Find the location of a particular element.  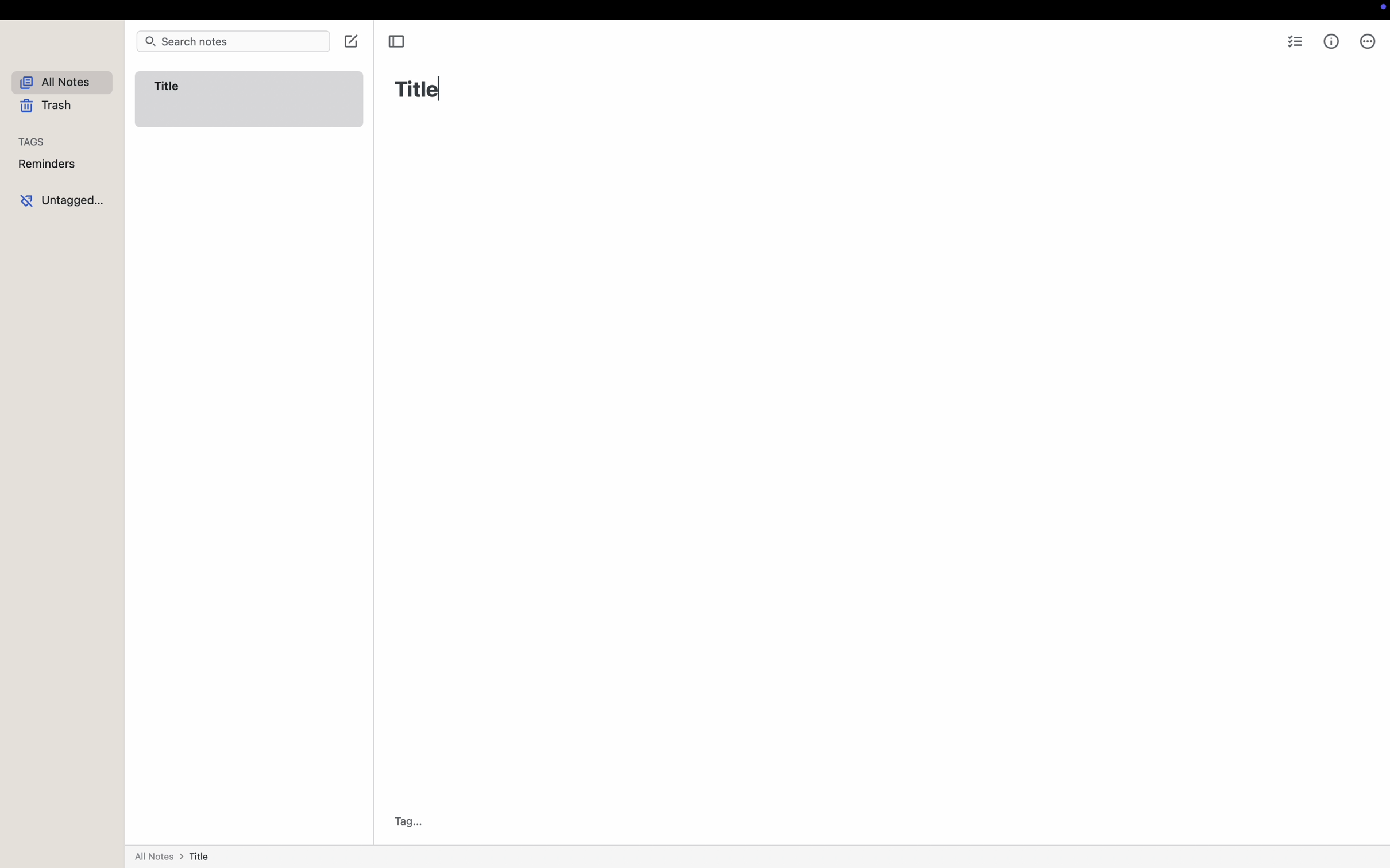

reminders is located at coordinates (61, 165).